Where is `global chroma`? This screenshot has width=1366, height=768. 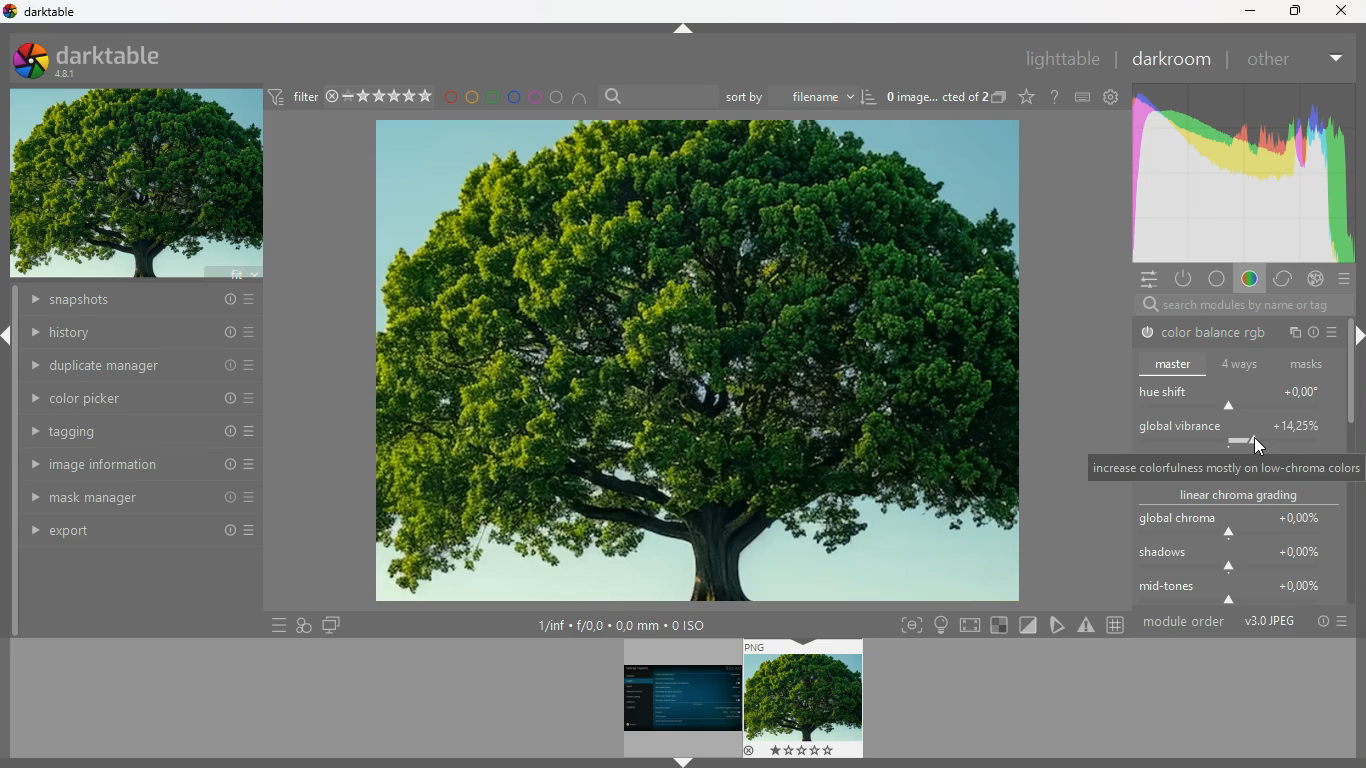
global chroma is located at coordinates (1231, 524).